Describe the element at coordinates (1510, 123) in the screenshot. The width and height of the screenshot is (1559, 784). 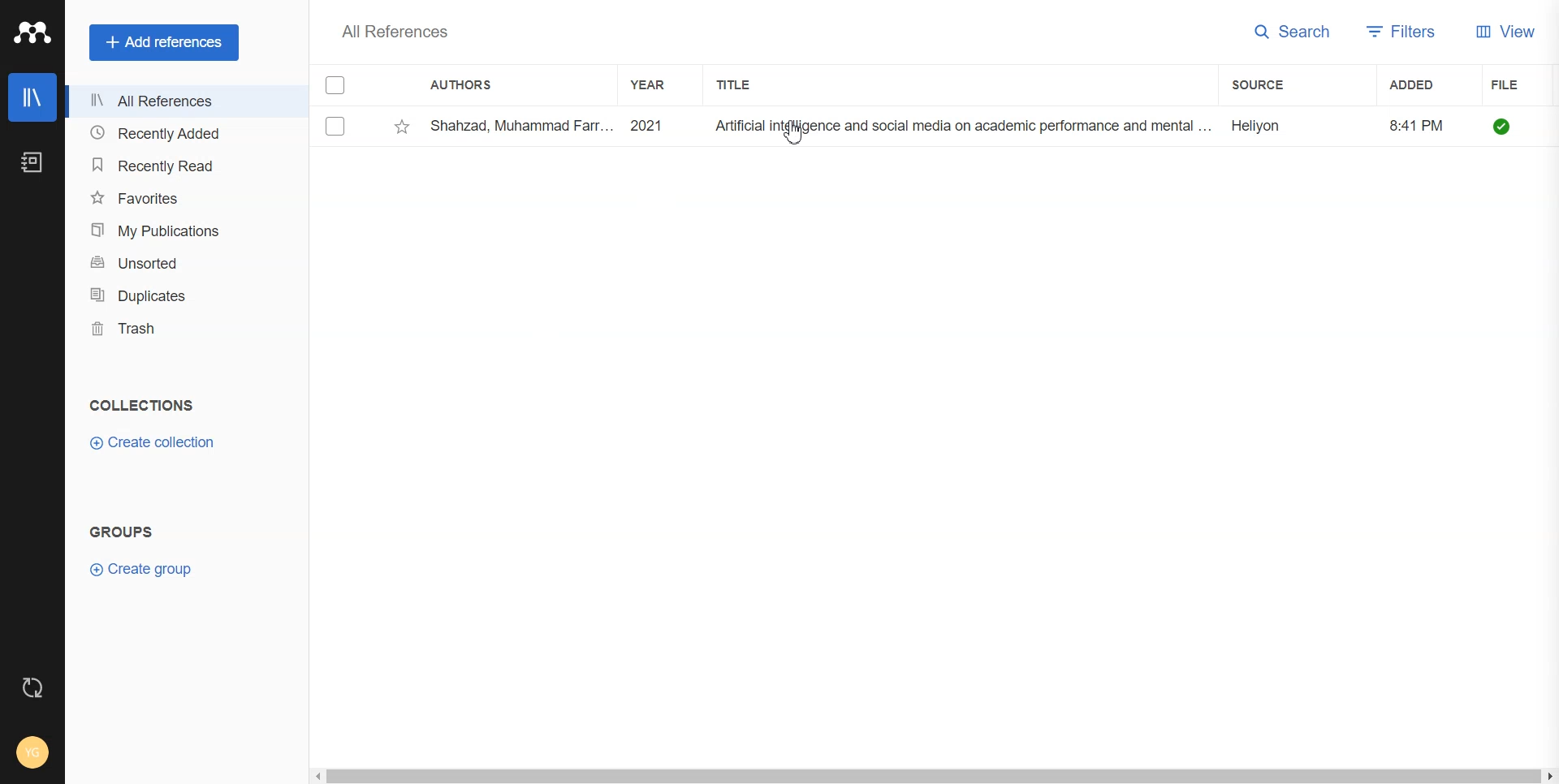
I see `checkmark` at that location.